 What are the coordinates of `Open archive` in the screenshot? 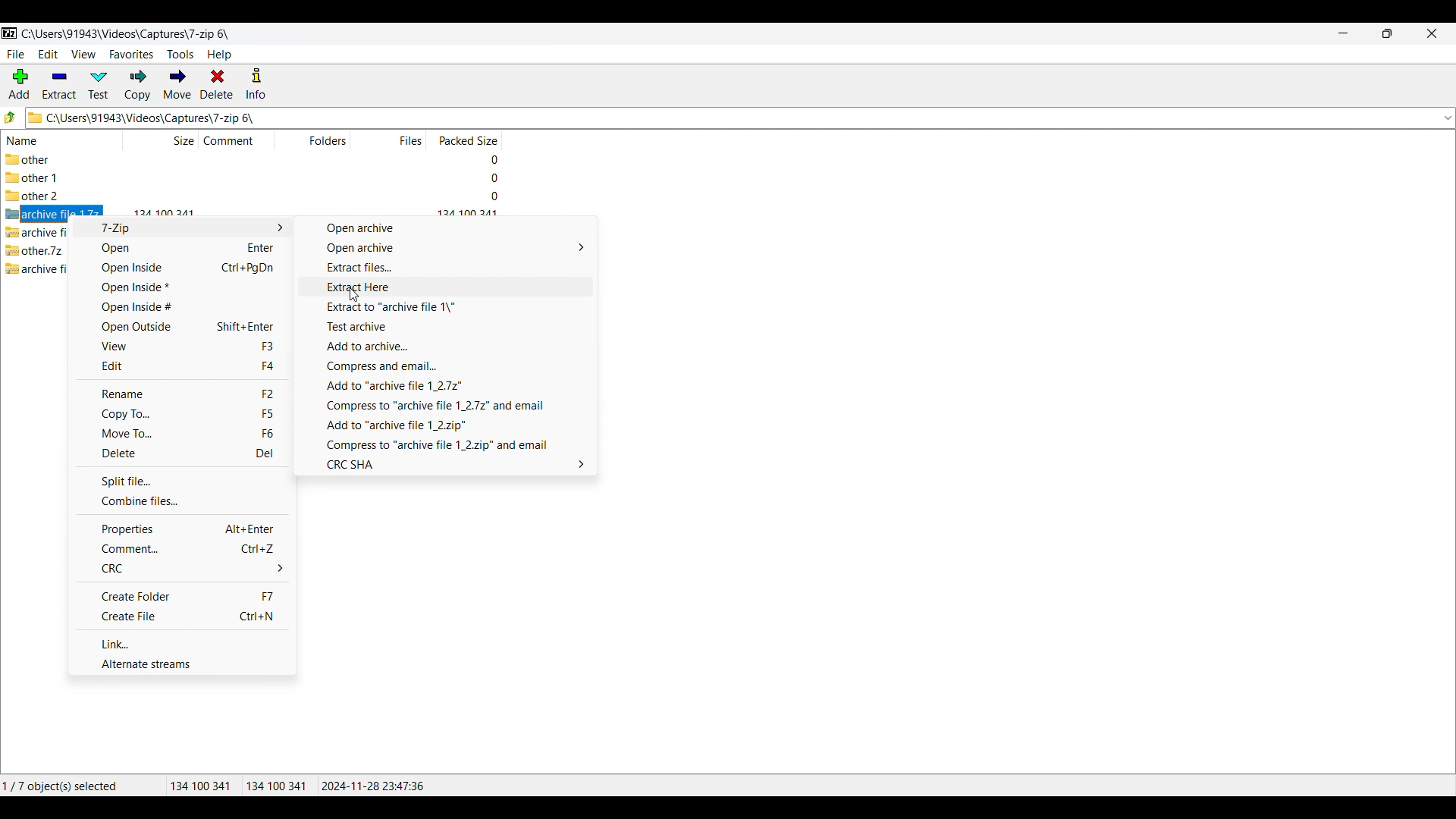 It's located at (447, 228).